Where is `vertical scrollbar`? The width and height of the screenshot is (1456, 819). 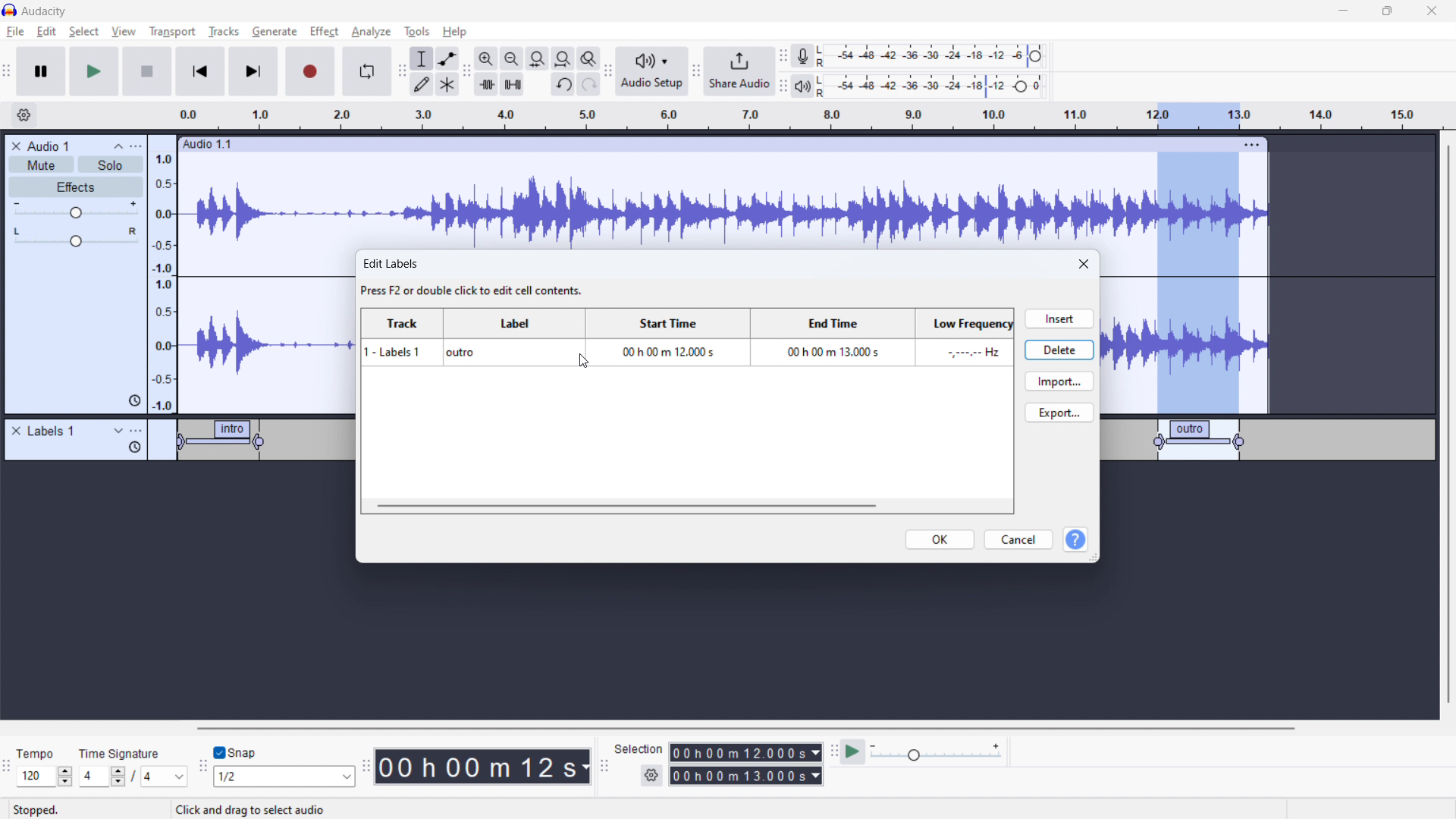 vertical scrollbar is located at coordinates (1446, 426).